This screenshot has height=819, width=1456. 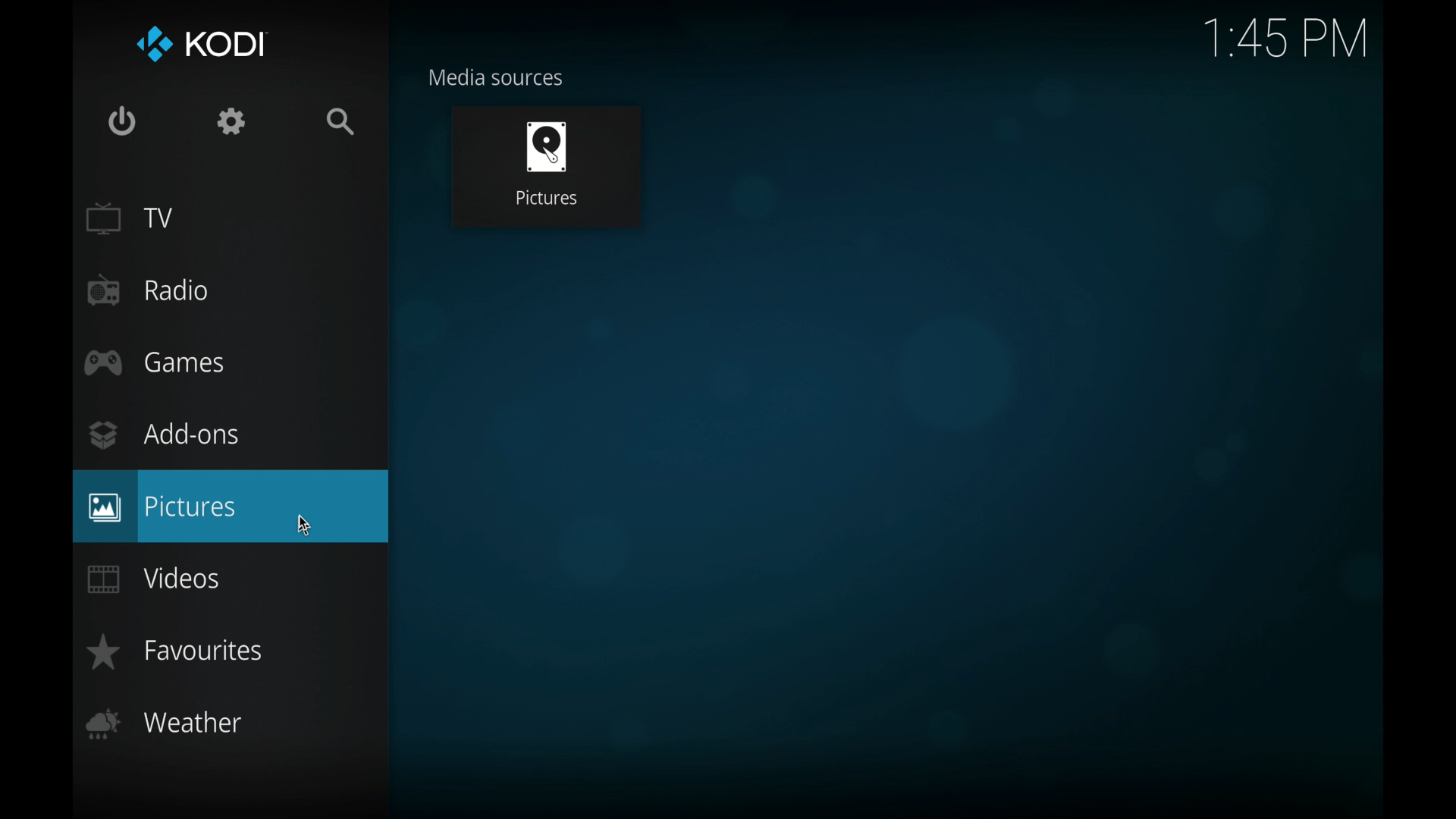 I want to click on games, so click(x=154, y=362).